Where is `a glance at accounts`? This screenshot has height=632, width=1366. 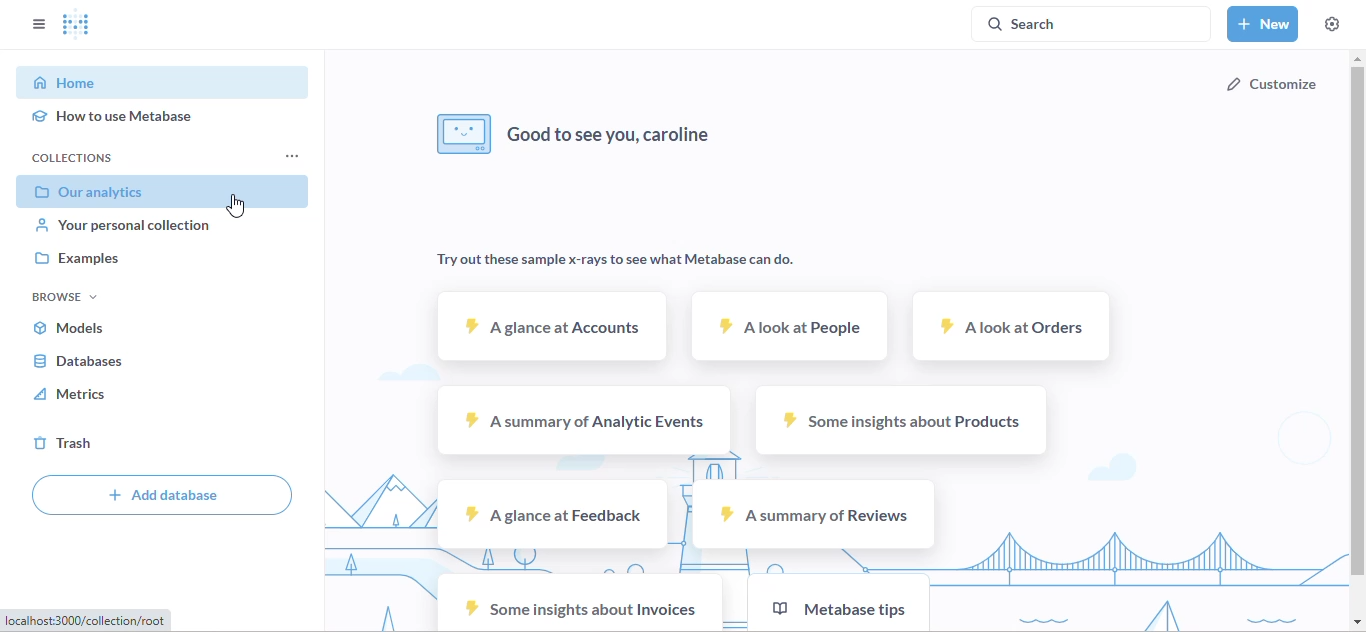 a glance at accounts is located at coordinates (552, 325).